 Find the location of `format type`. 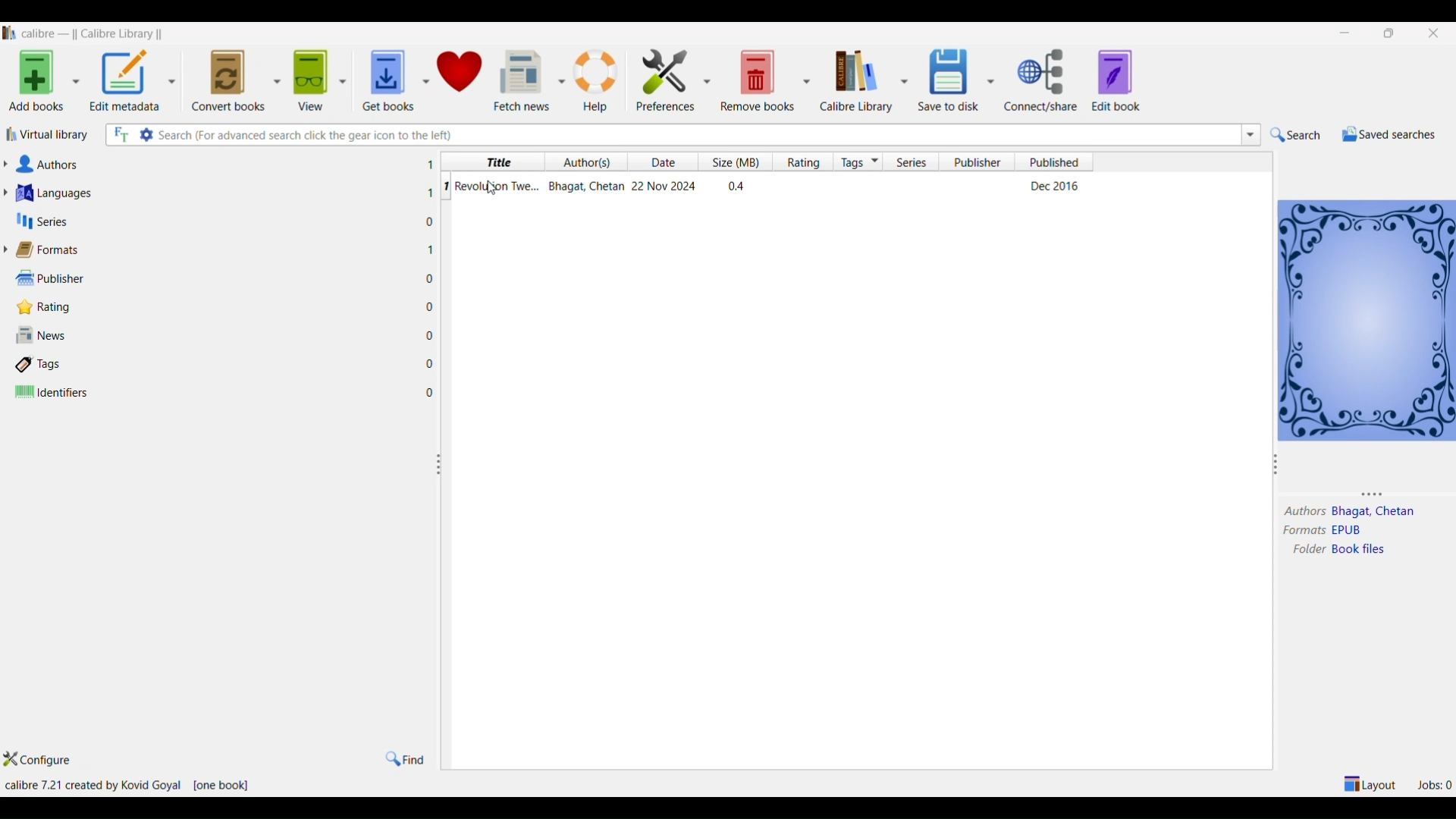

format type is located at coordinates (1354, 531).